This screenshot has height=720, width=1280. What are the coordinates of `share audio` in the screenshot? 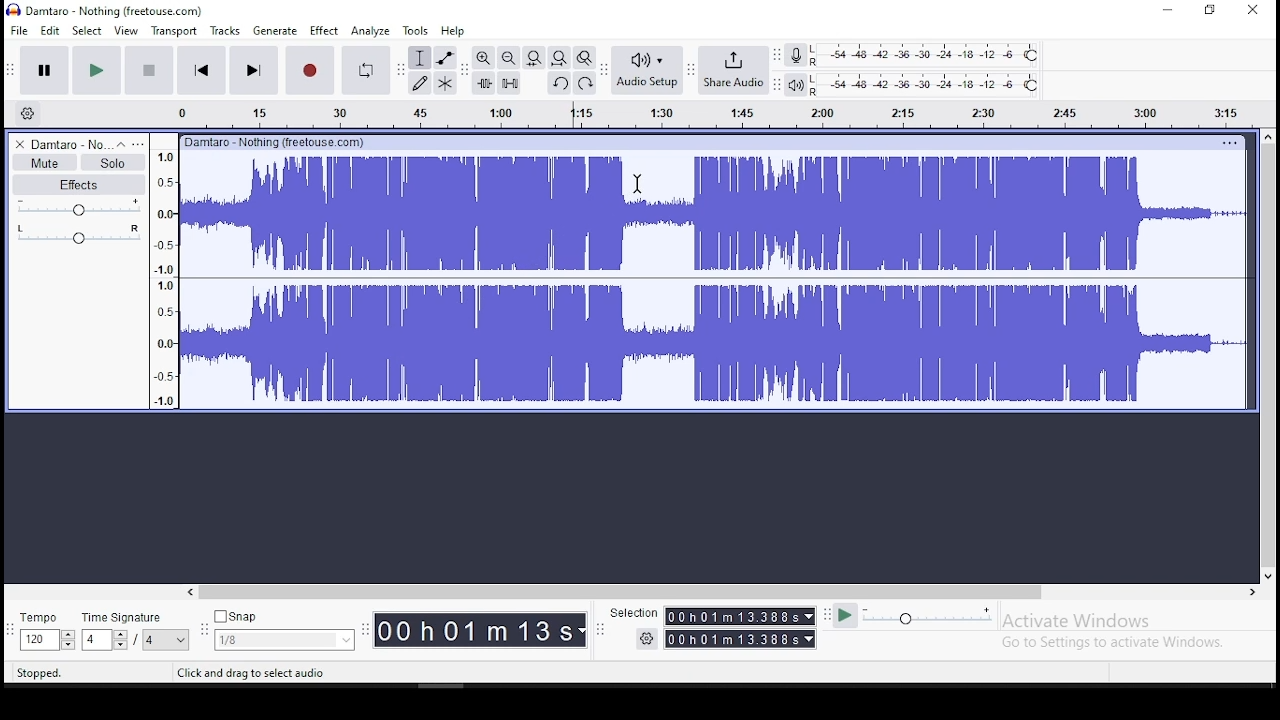 It's located at (733, 69).